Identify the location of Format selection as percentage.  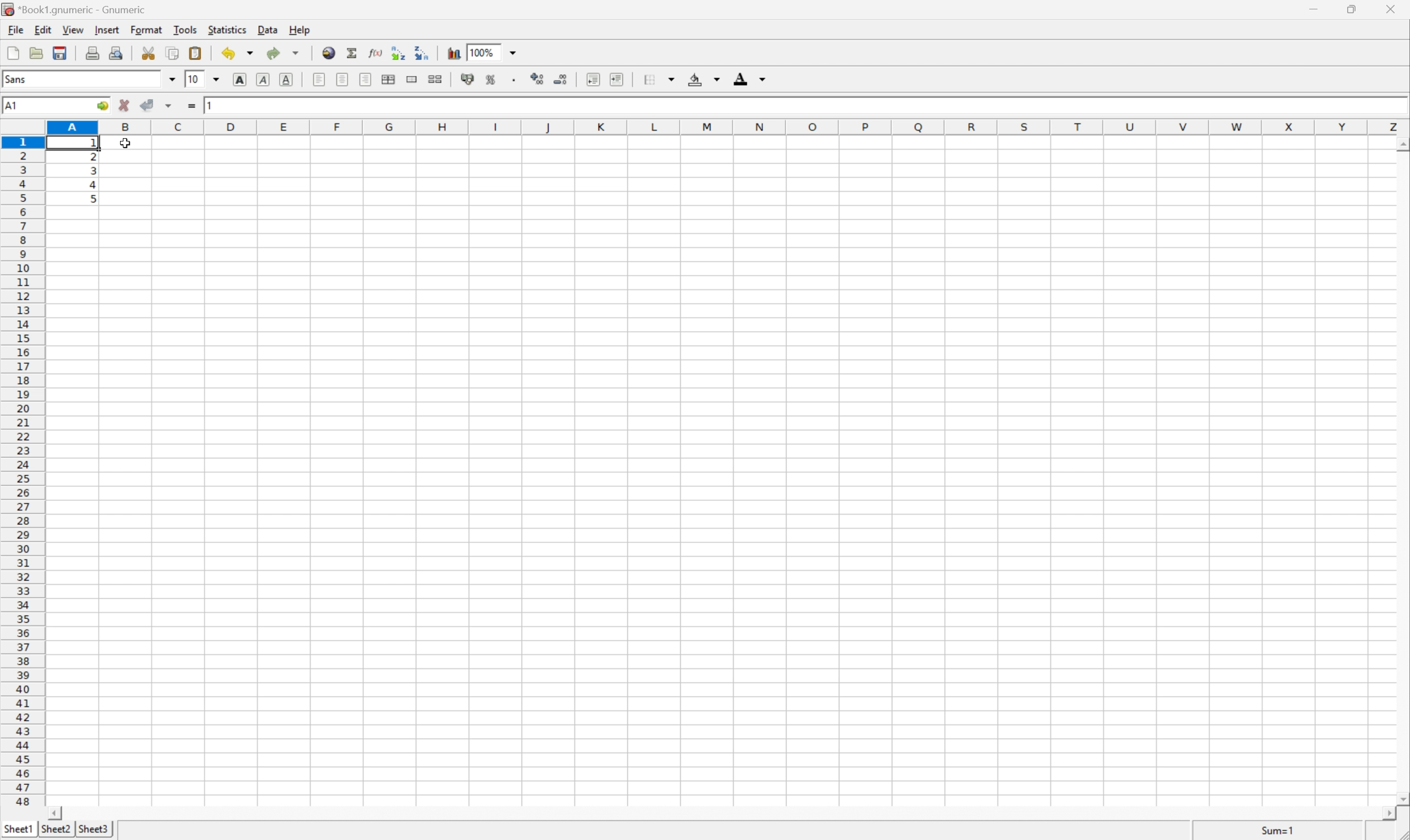
(490, 80).